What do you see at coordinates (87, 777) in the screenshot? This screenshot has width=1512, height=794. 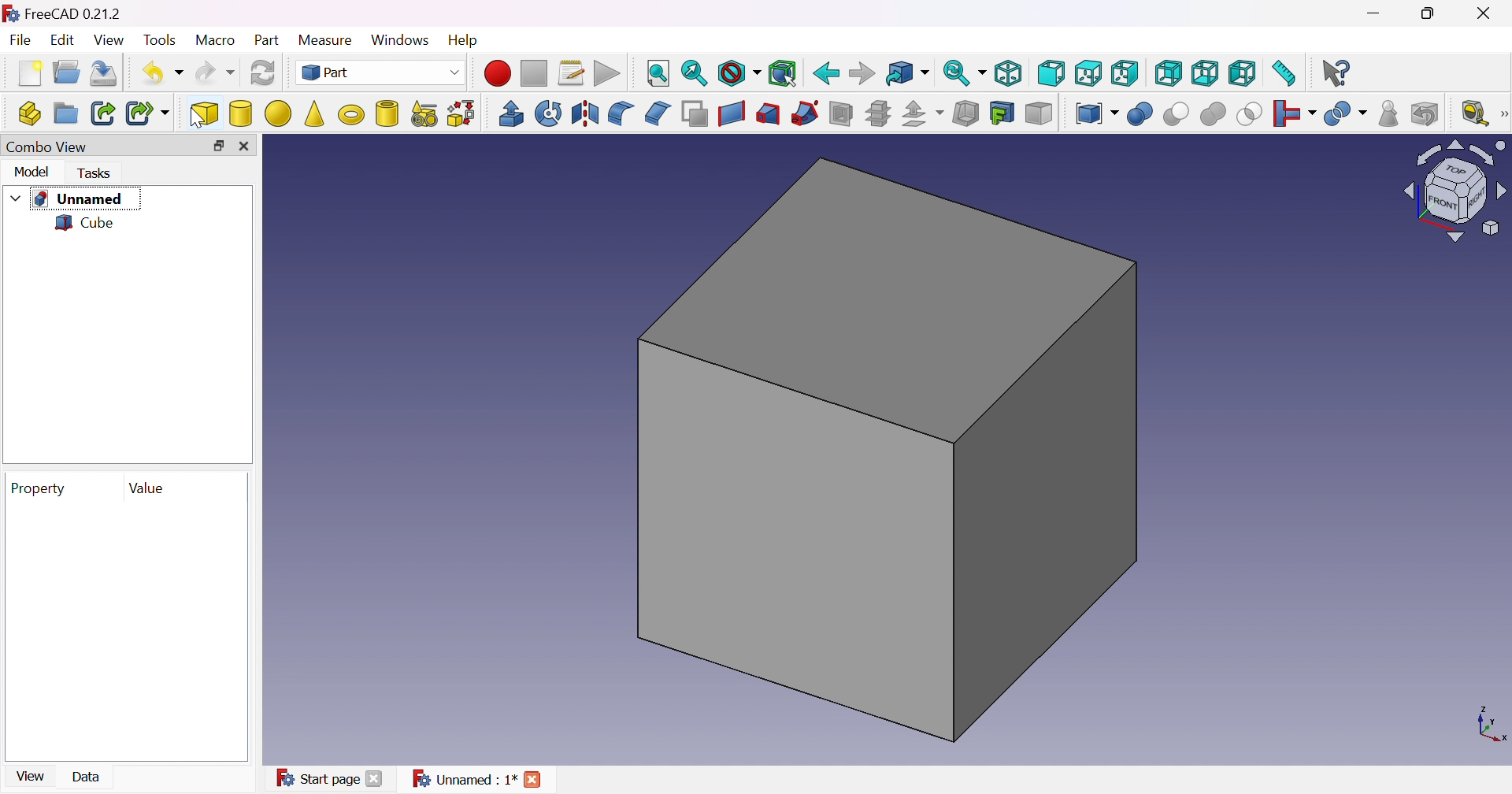 I see `Data` at bounding box center [87, 777].